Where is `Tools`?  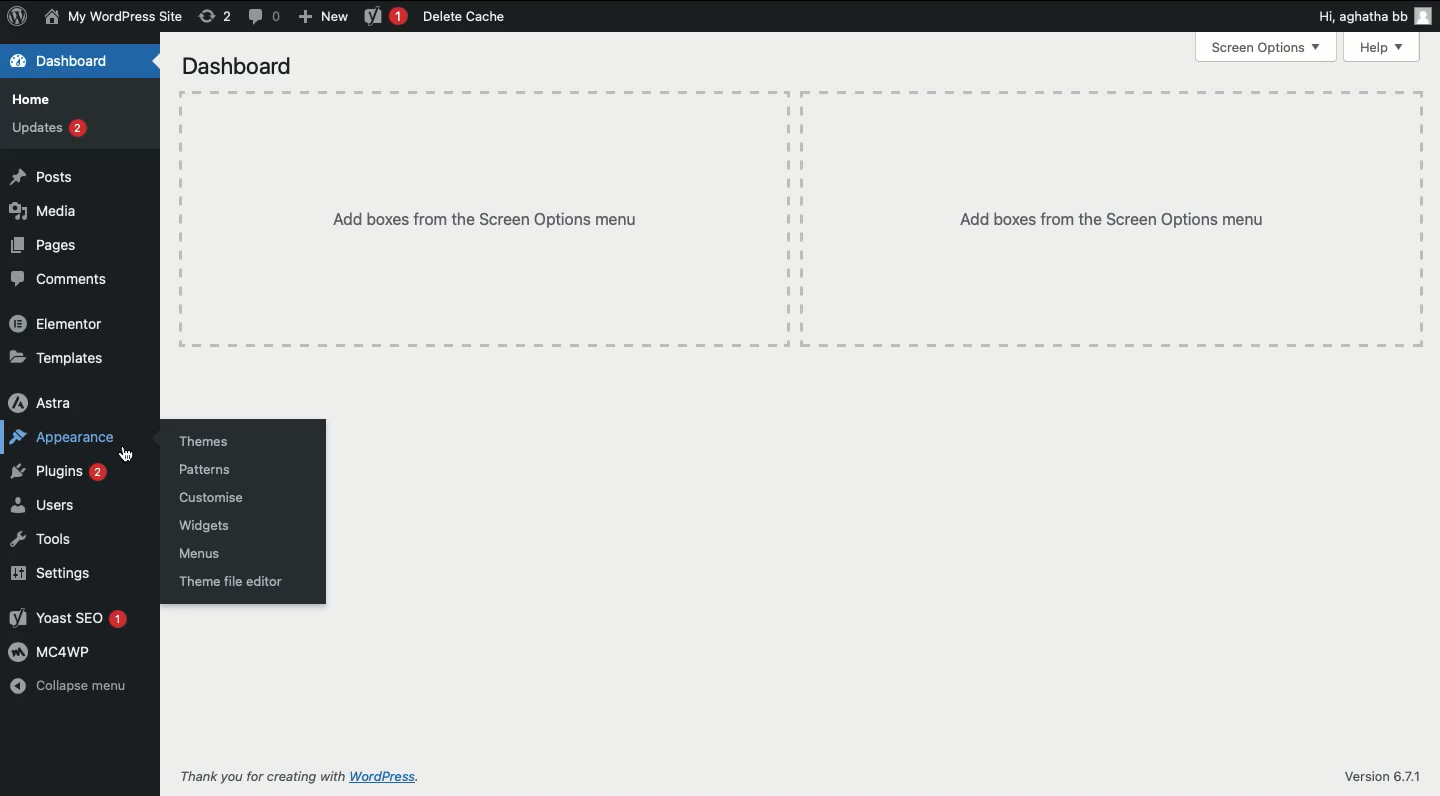 Tools is located at coordinates (58, 543).